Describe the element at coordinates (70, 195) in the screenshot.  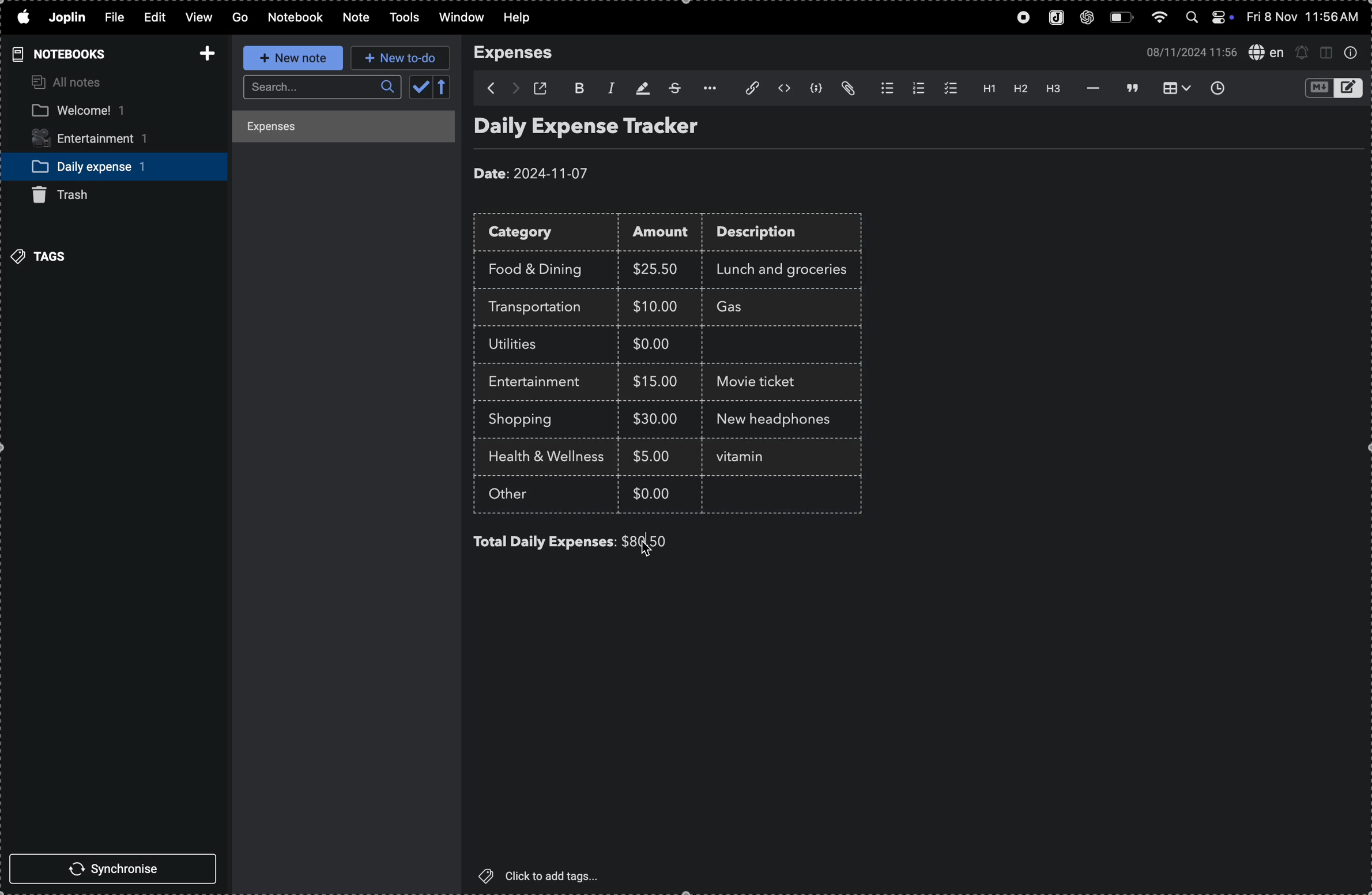
I see `trash` at that location.